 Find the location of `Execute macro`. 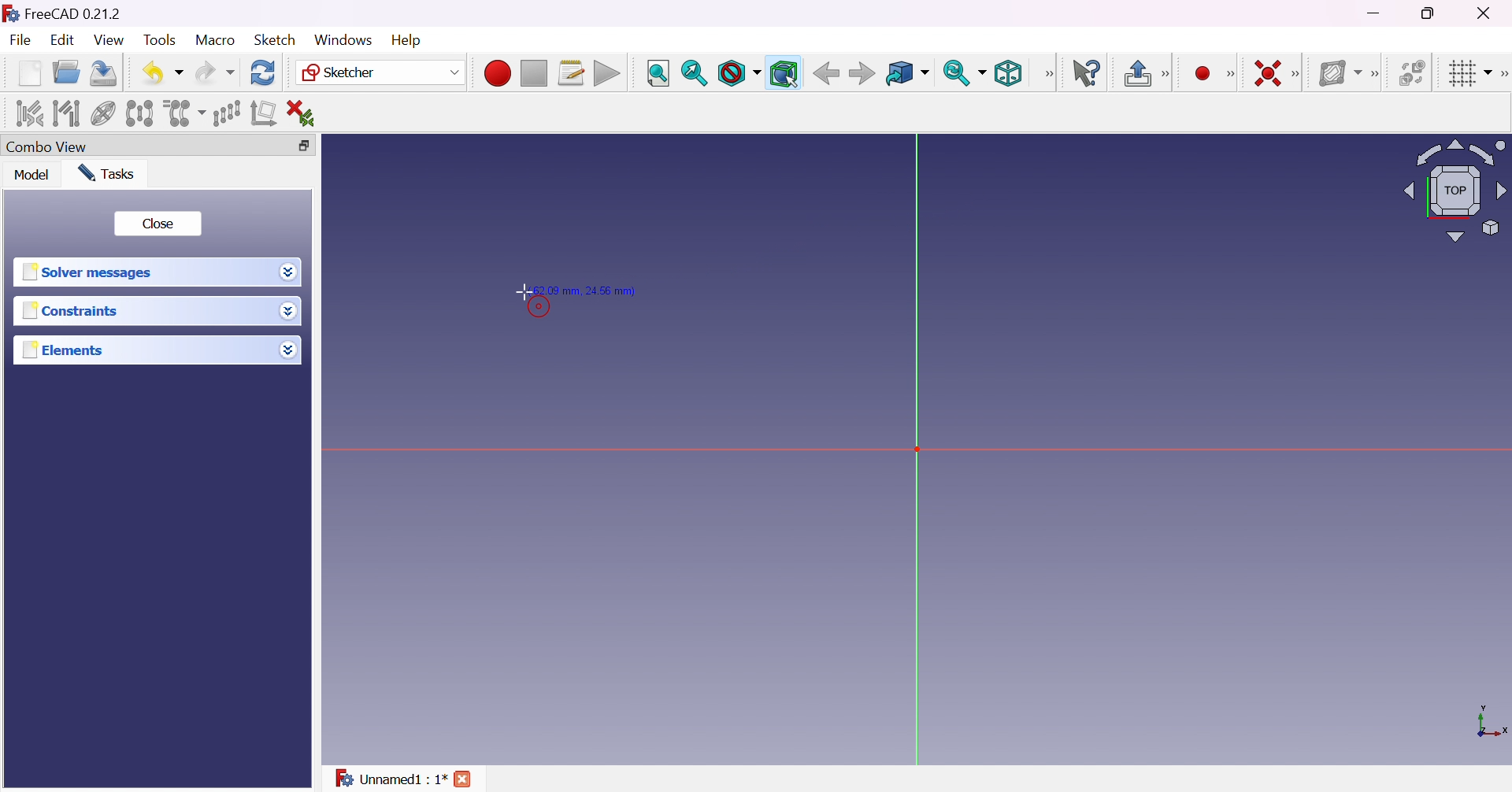

Execute macro is located at coordinates (607, 76).